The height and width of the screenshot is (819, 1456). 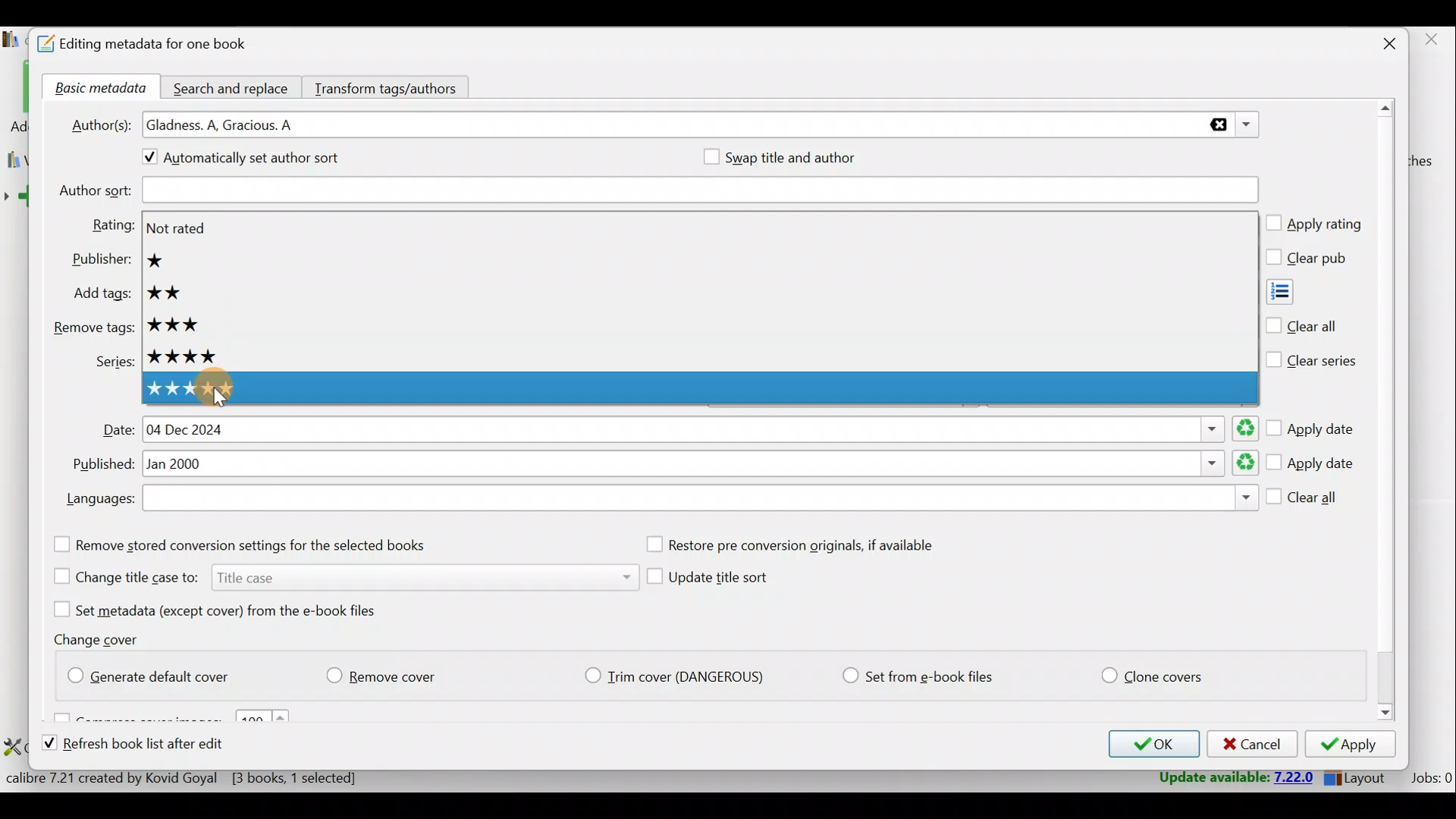 I want to click on Apply, so click(x=1355, y=746).